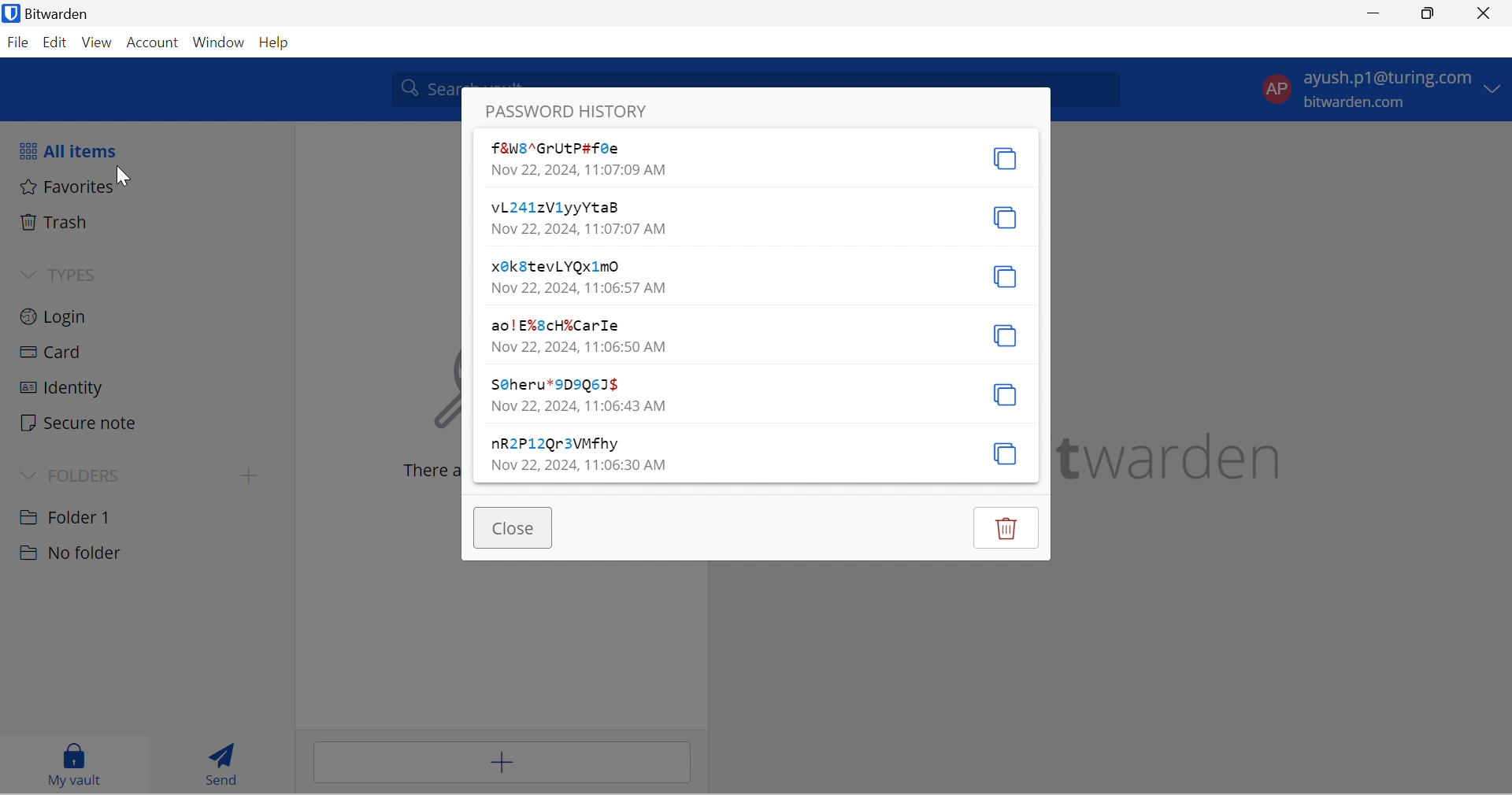 Image resolution: width=1512 pixels, height=795 pixels. Describe the element at coordinates (69, 188) in the screenshot. I see `Favorites` at that location.